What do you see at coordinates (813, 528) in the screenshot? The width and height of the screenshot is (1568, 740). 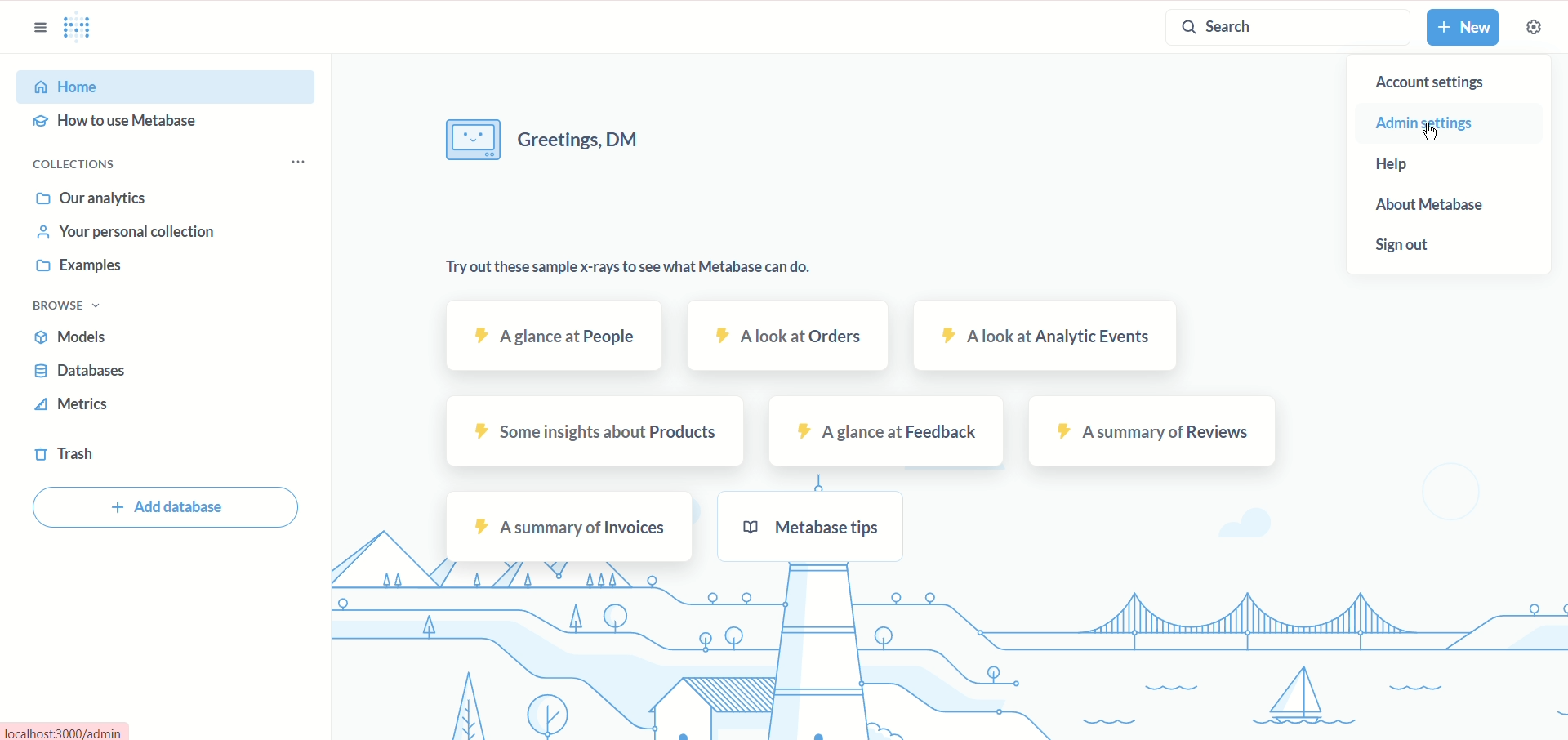 I see `Metabse tips` at bounding box center [813, 528].